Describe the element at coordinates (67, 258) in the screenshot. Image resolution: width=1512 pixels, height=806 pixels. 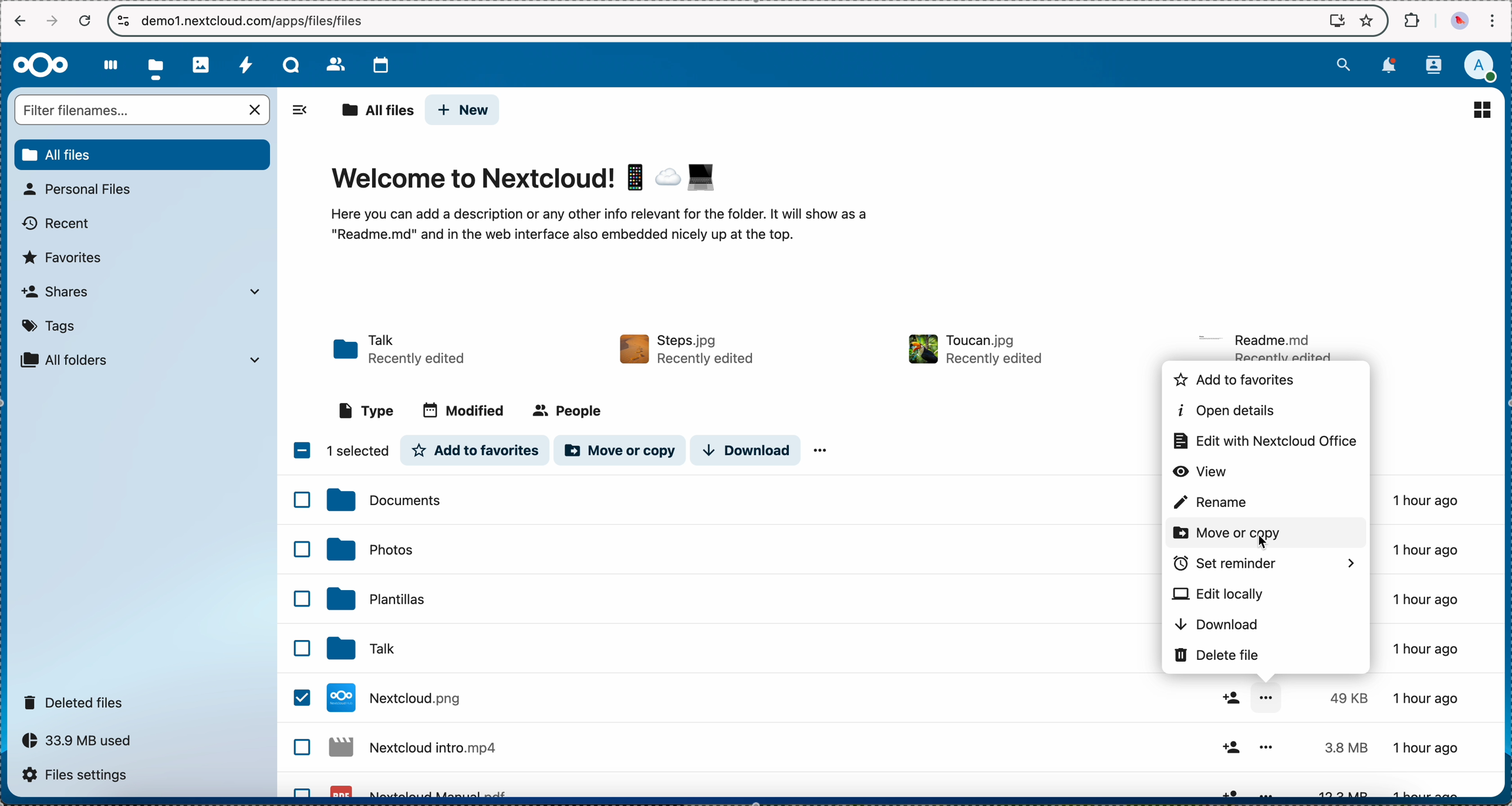
I see `favorites` at that location.